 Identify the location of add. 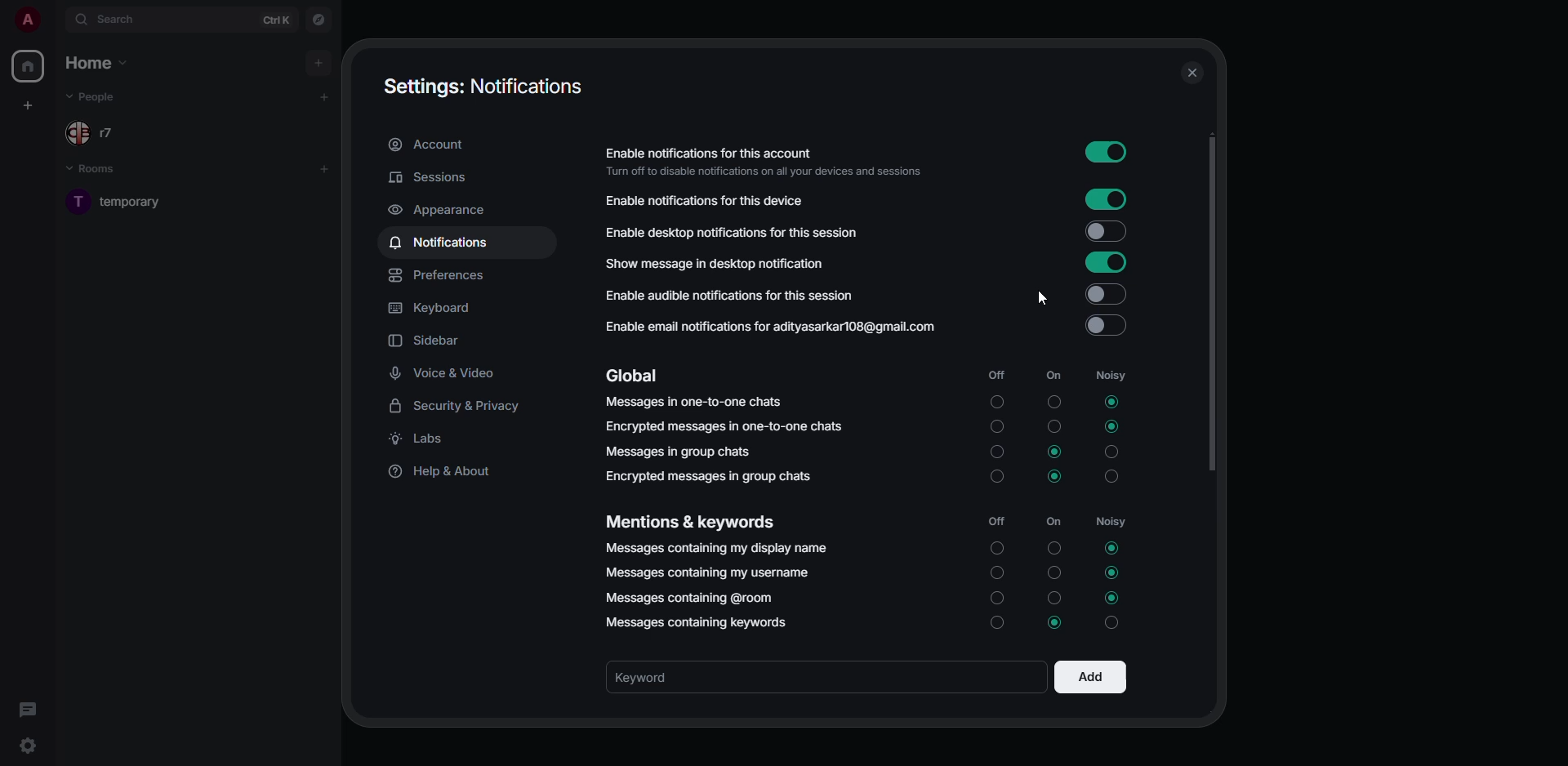
(1090, 675).